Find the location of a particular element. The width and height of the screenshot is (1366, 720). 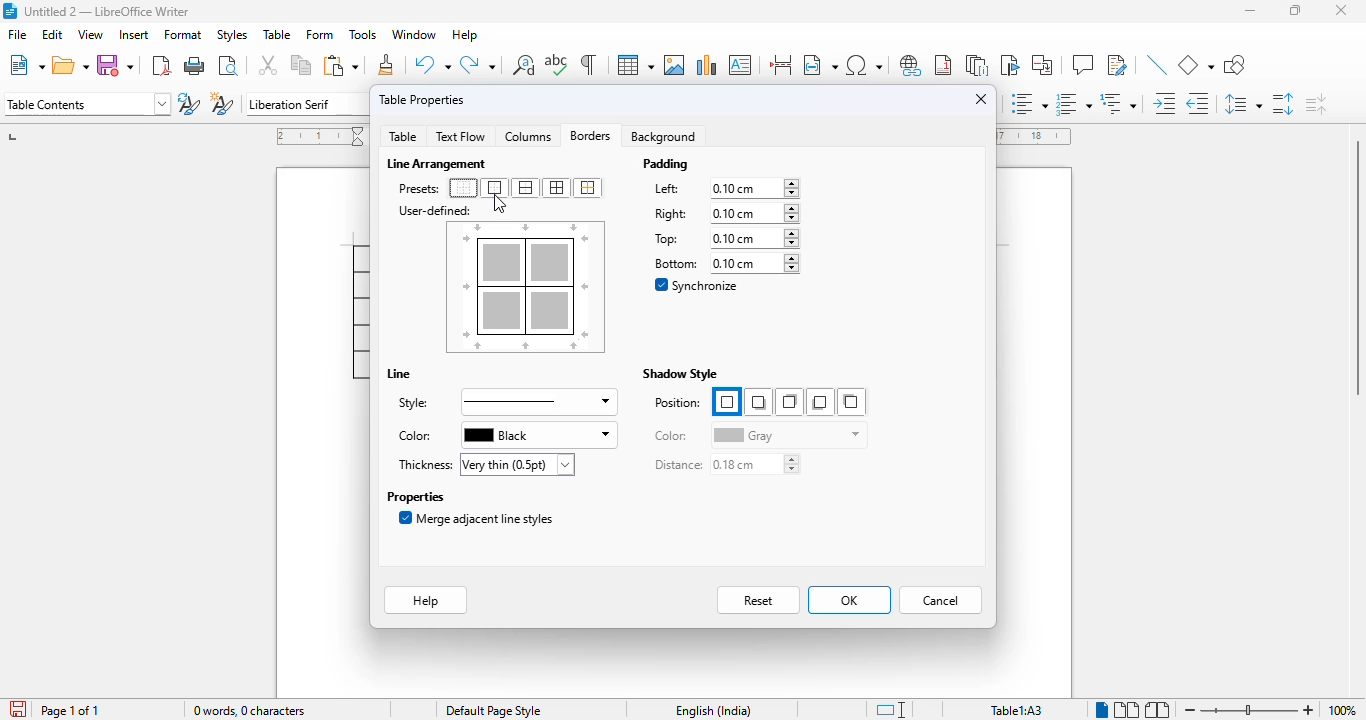

open is located at coordinates (71, 65).